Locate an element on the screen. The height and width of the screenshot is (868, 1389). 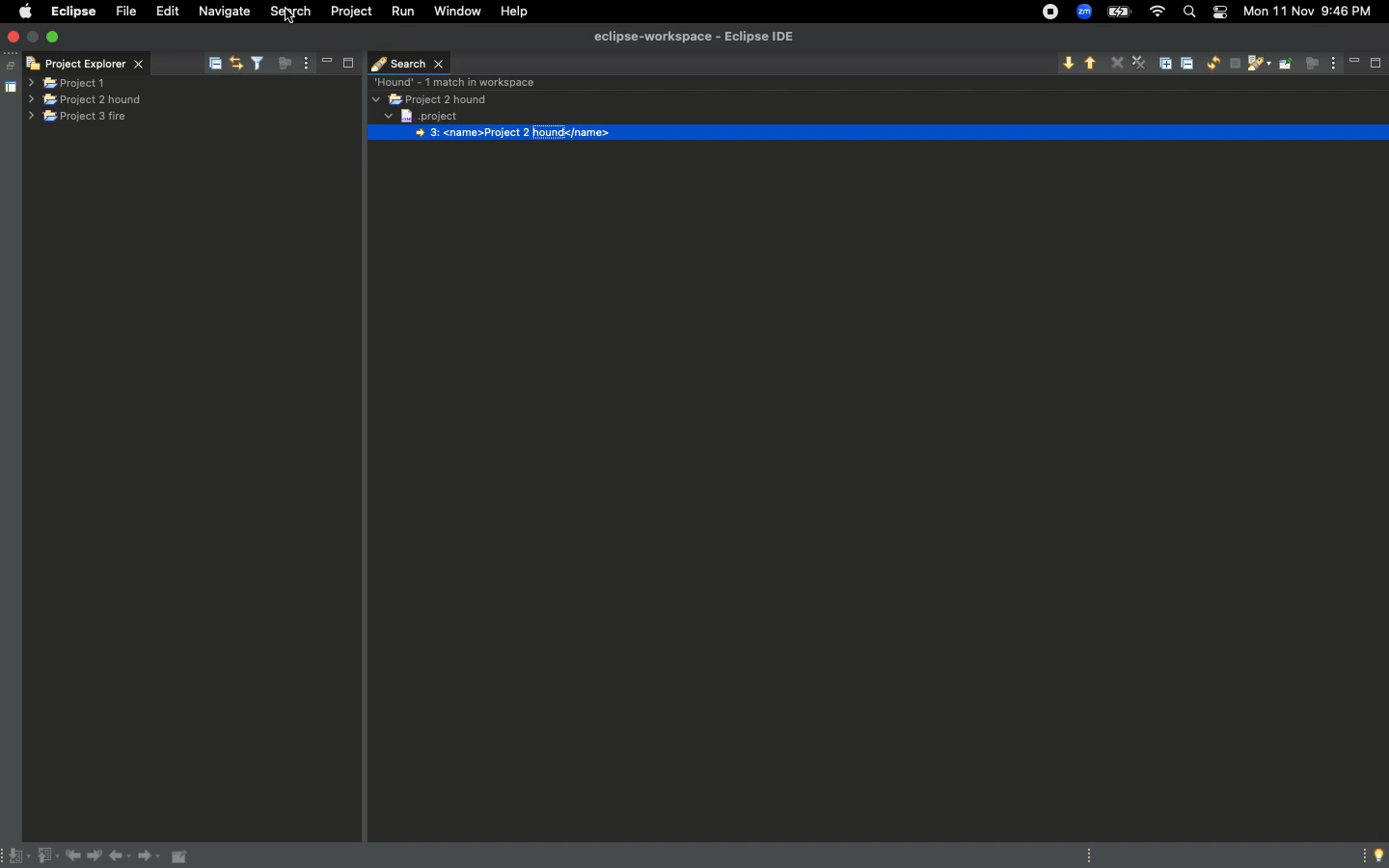
Remove all matches is located at coordinates (1139, 64).